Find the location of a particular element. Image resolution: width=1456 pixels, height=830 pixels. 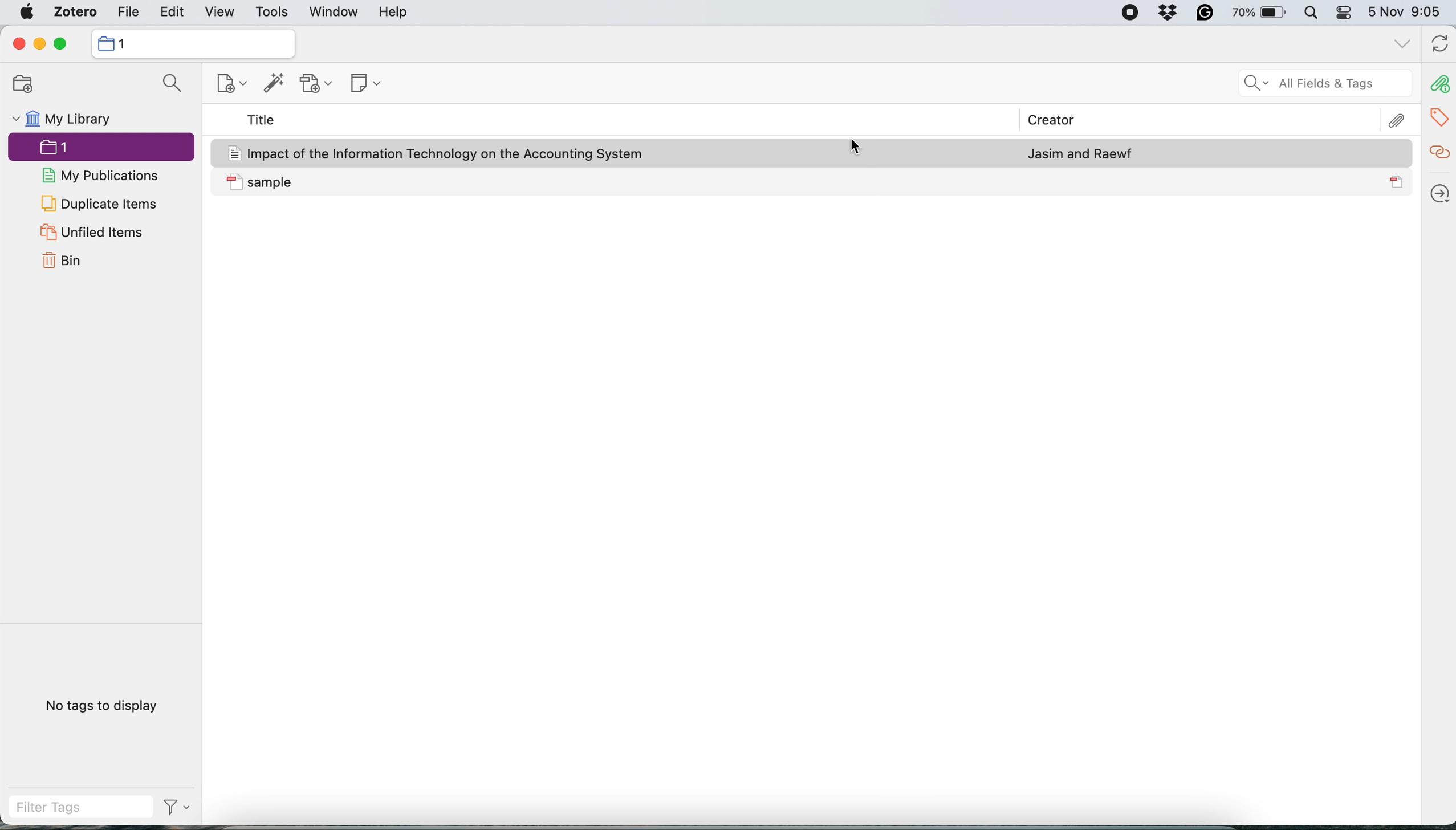

title is located at coordinates (262, 121).